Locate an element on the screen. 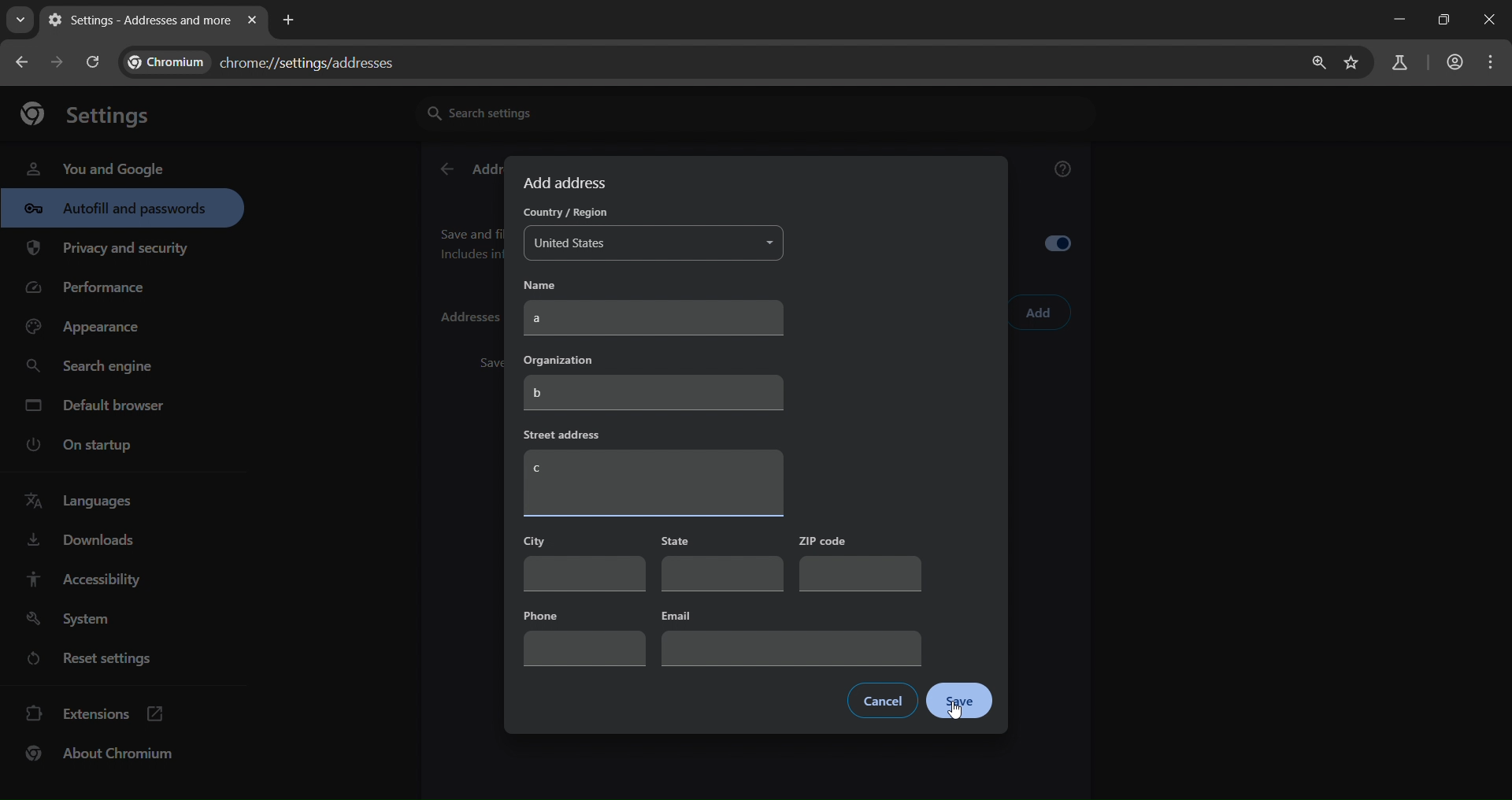 This screenshot has width=1512, height=800. country is located at coordinates (562, 214).